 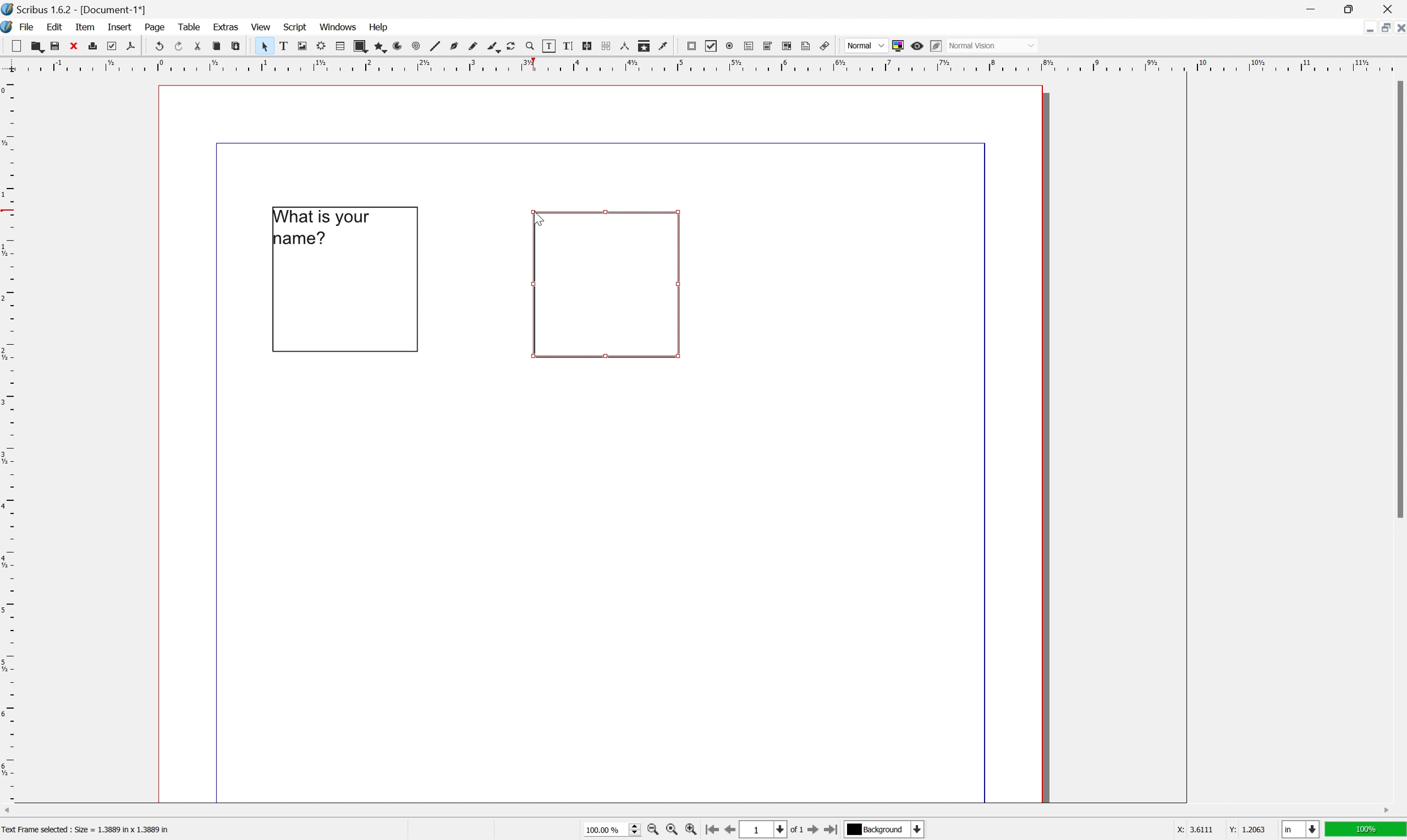 I want to click on close, so click(x=1398, y=29).